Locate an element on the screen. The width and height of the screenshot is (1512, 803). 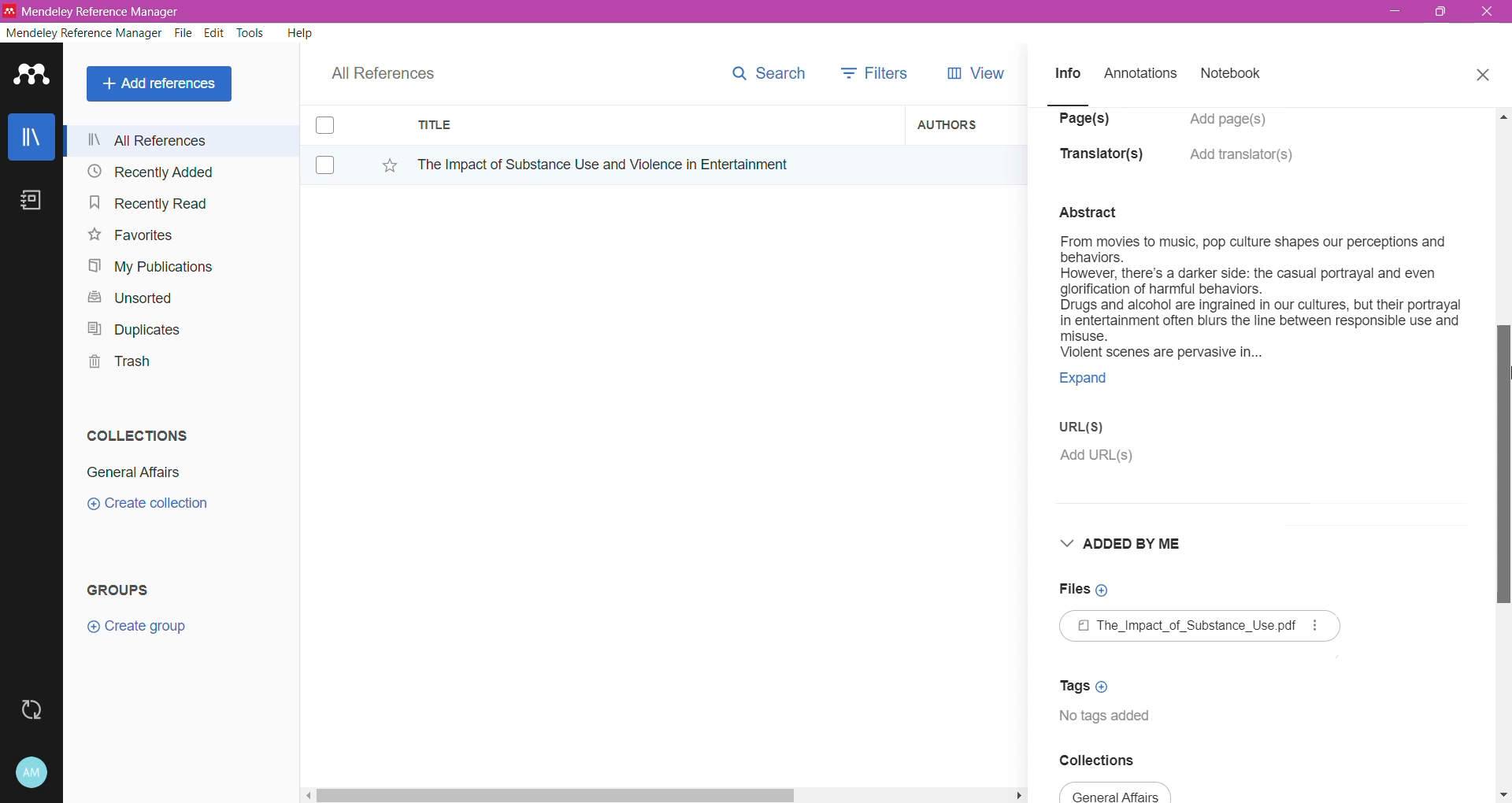
Collection Name is located at coordinates (1116, 791).